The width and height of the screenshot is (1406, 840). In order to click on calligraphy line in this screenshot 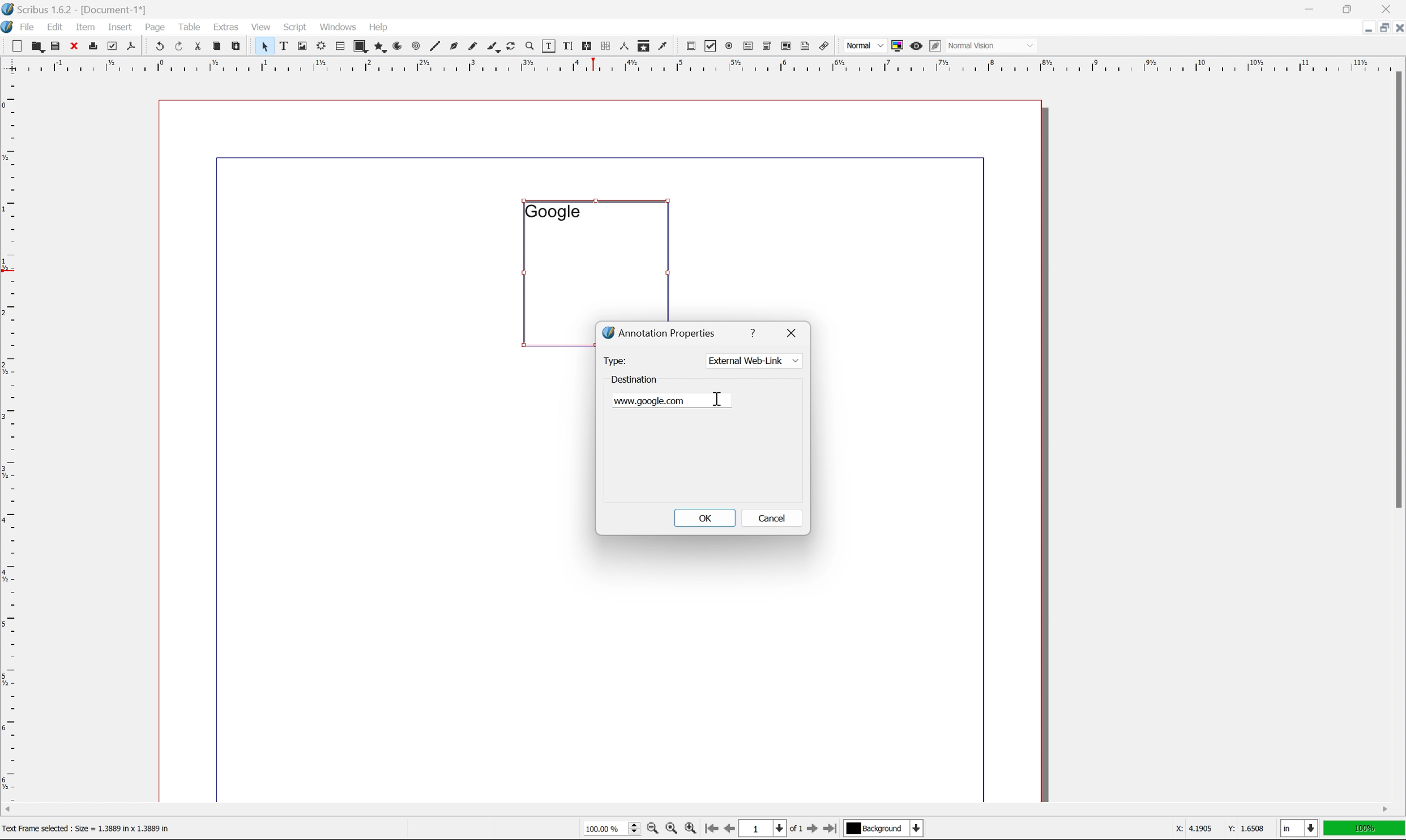, I will do `click(493, 45)`.